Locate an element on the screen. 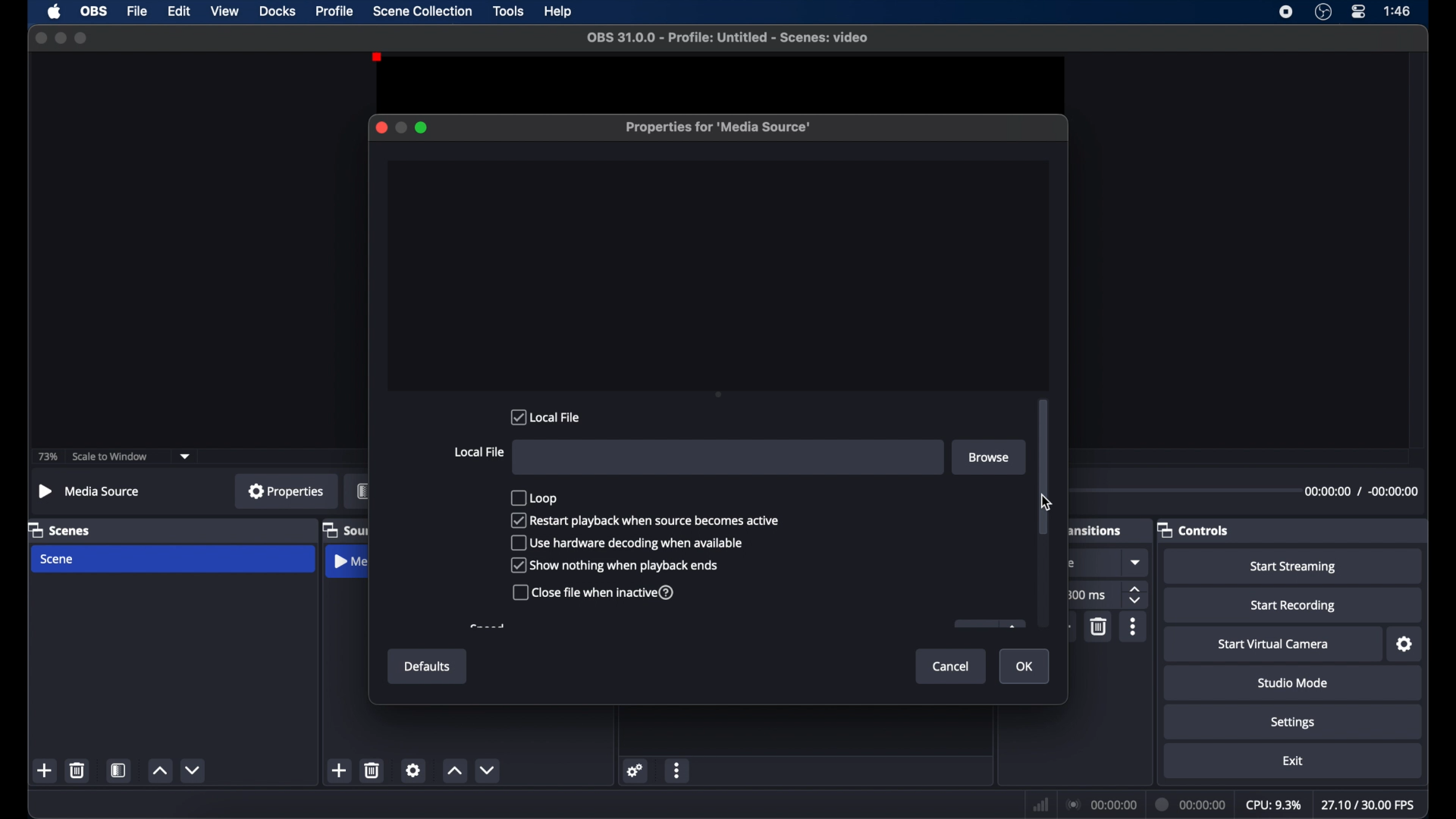 The width and height of the screenshot is (1456, 819). more options is located at coordinates (677, 772).